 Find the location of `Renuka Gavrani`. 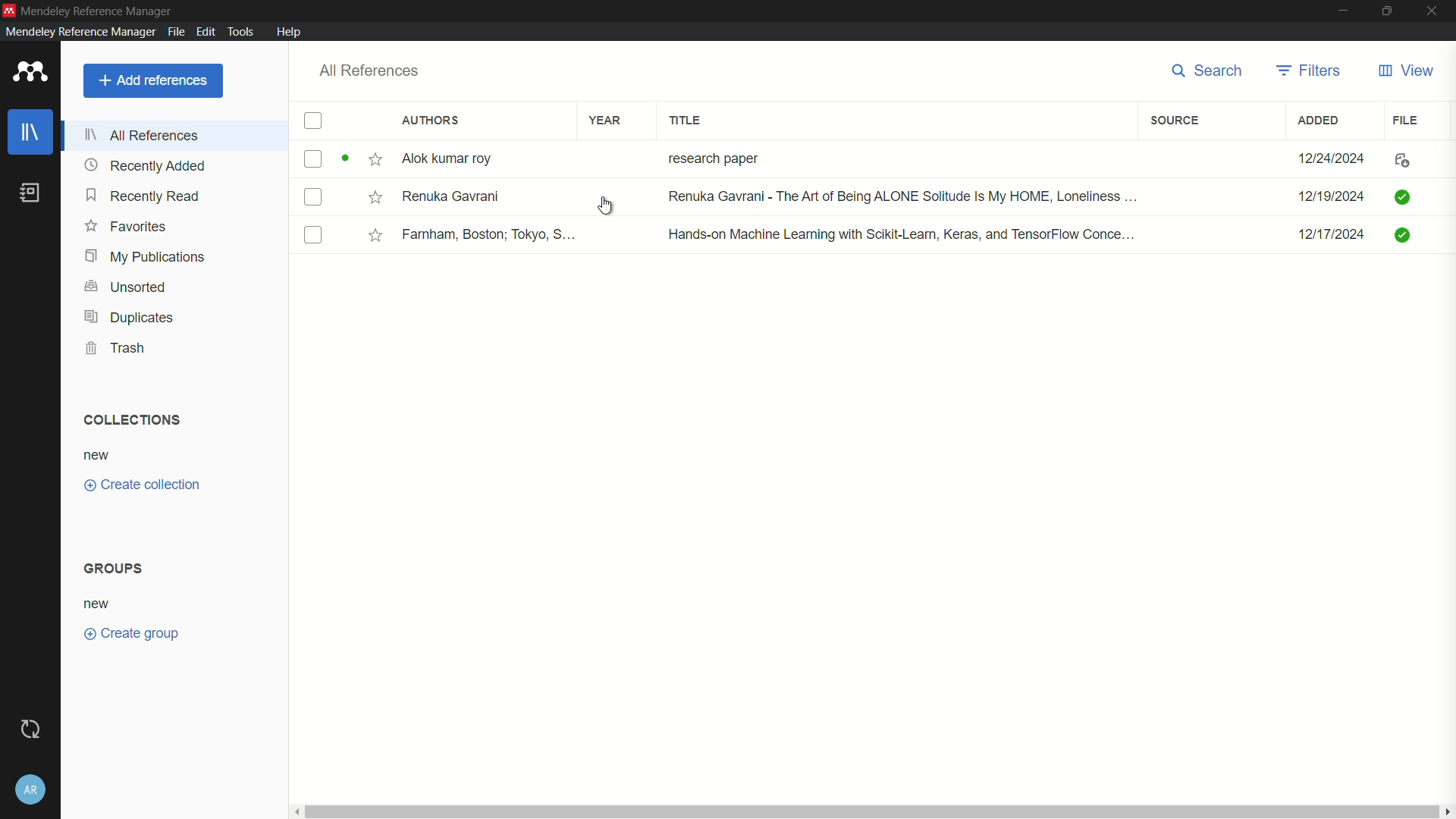

Renuka Gavrani is located at coordinates (456, 196).